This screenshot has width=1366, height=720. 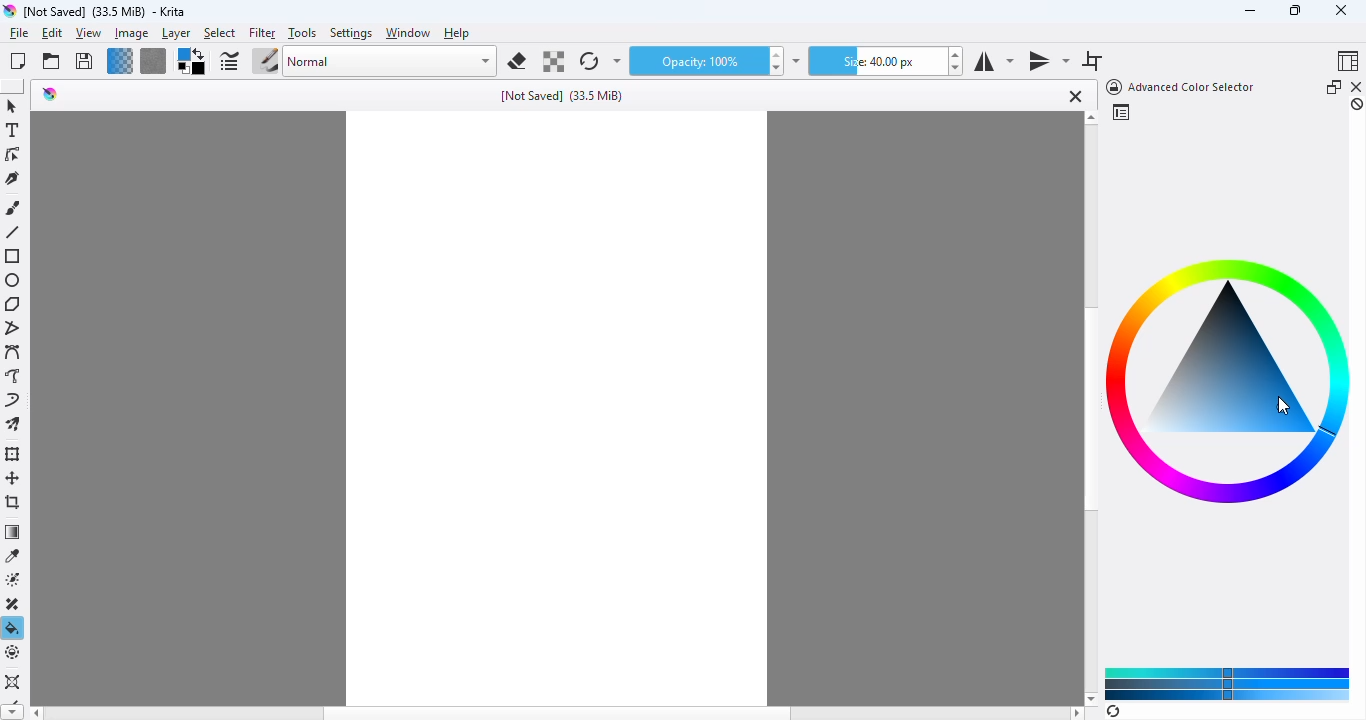 What do you see at coordinates (1120, 112) in the screenshot?
I see `color selector` at bounding box center [1120, 112].